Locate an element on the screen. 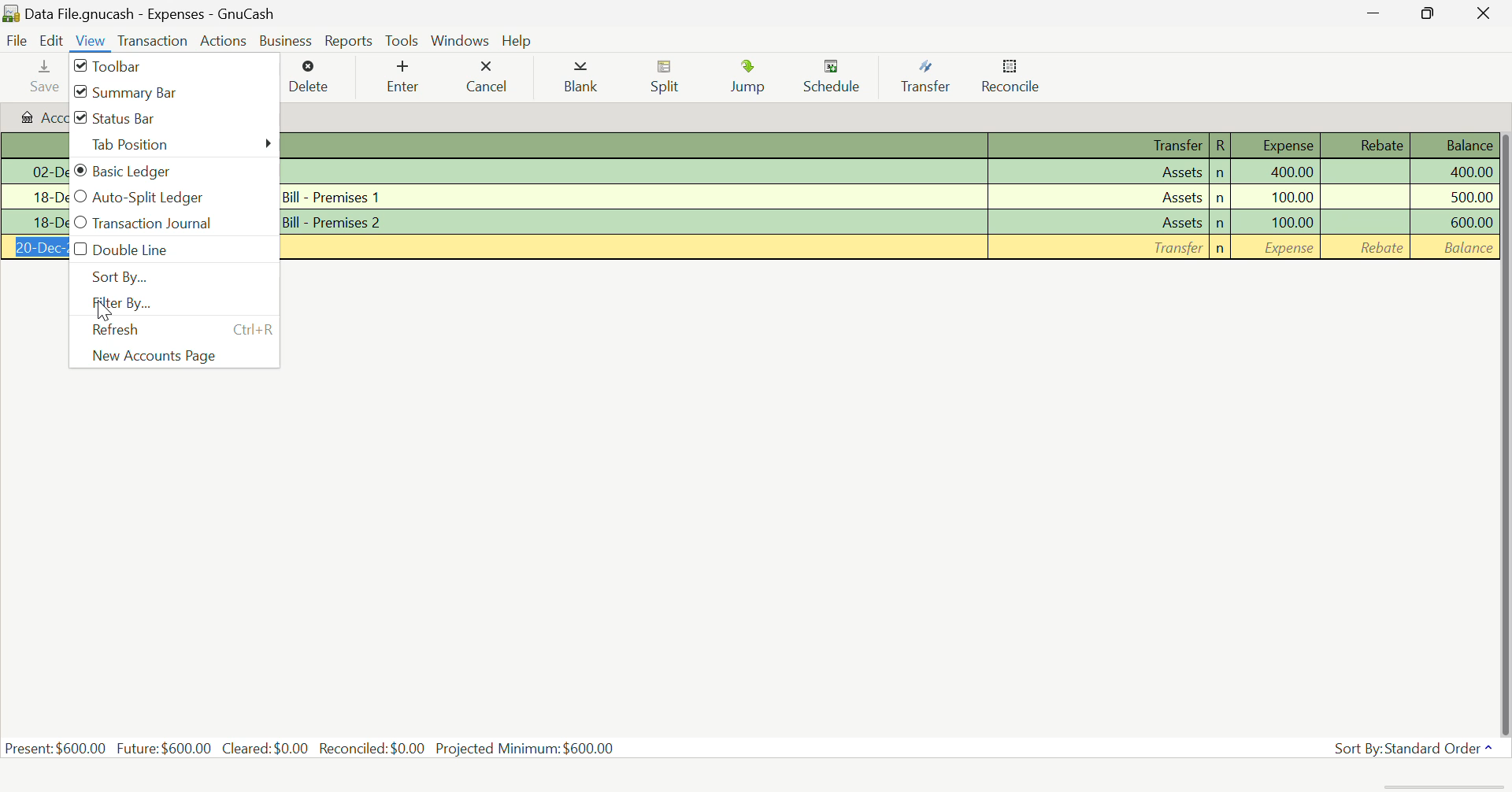 The width and height of the screenshot is (1512, 792). New Accounts Page is located at coordinates (174, 357).